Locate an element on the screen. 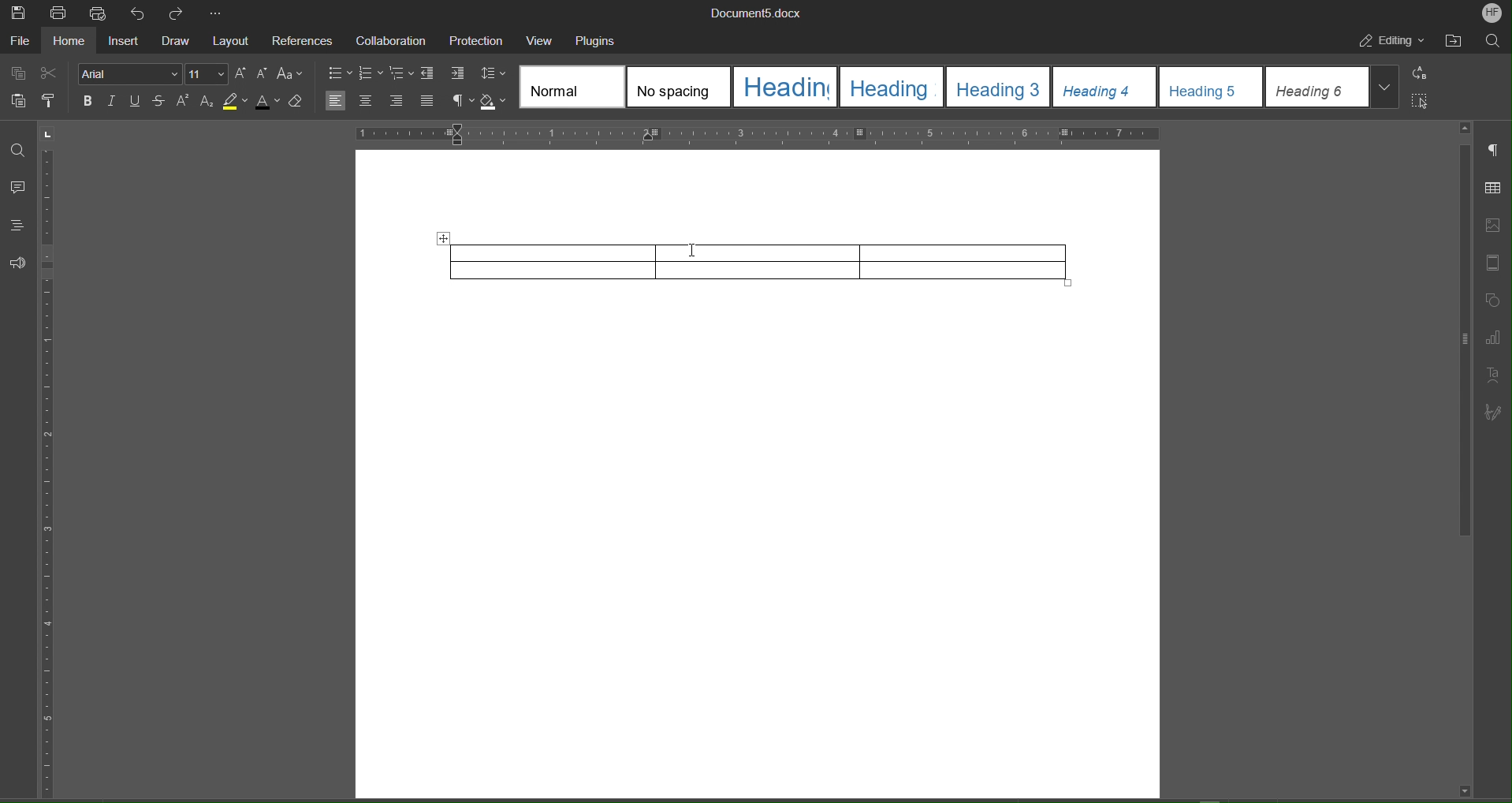 This screenshot has height=803, width=1512. Shape Settings is located at coordinates (1495, 301).